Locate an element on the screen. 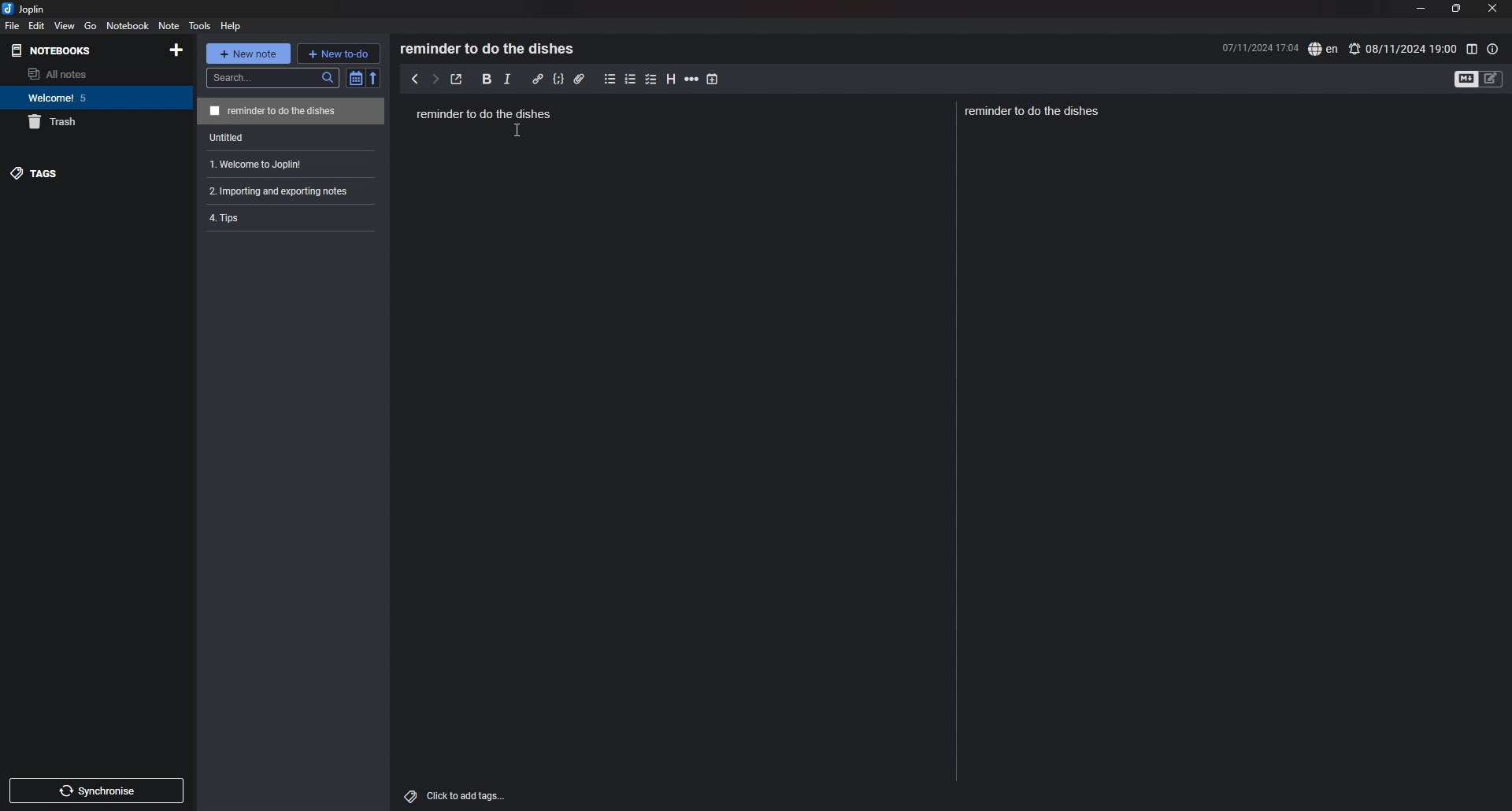 The width and height of the screenshot is (1512, 811). add time is located at coordinates (713, 79).